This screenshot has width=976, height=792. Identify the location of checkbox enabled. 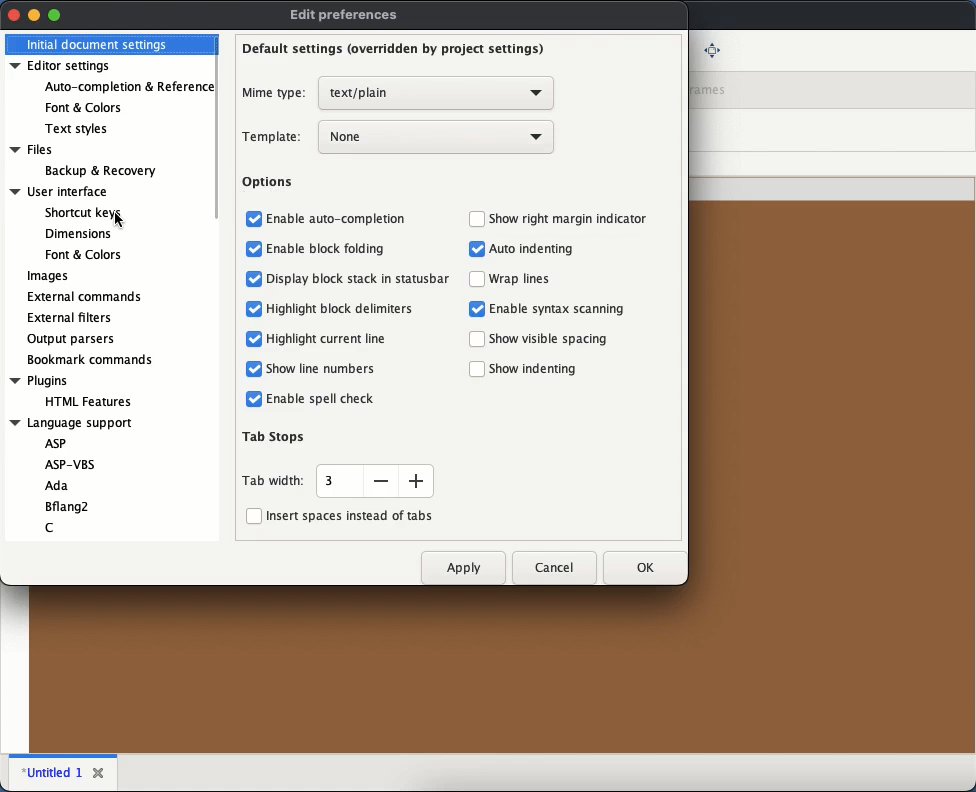
(256, 280).